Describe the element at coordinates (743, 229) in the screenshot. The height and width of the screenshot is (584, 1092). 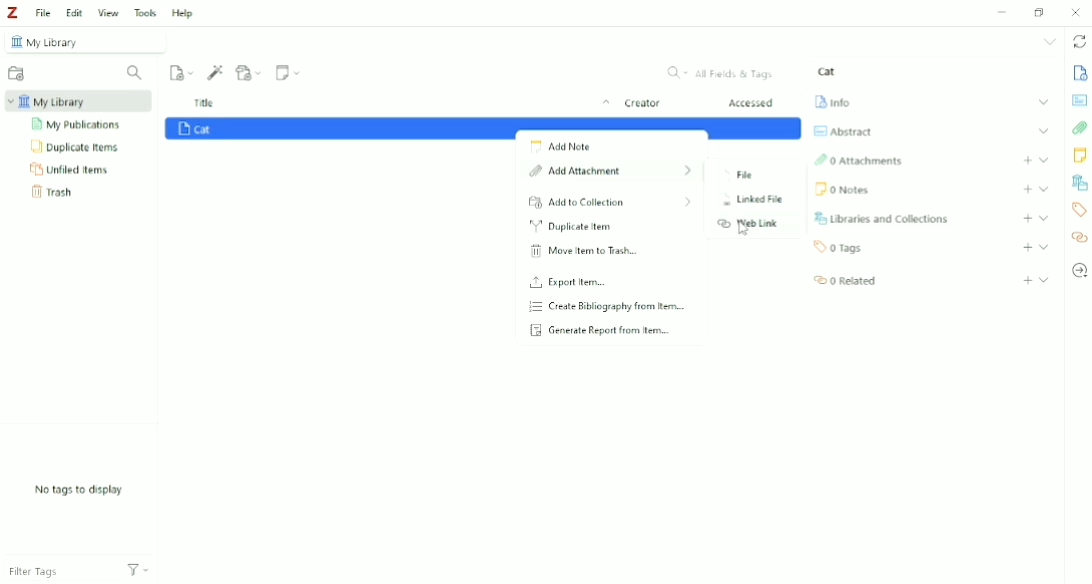
I see `Cursor` at that location.